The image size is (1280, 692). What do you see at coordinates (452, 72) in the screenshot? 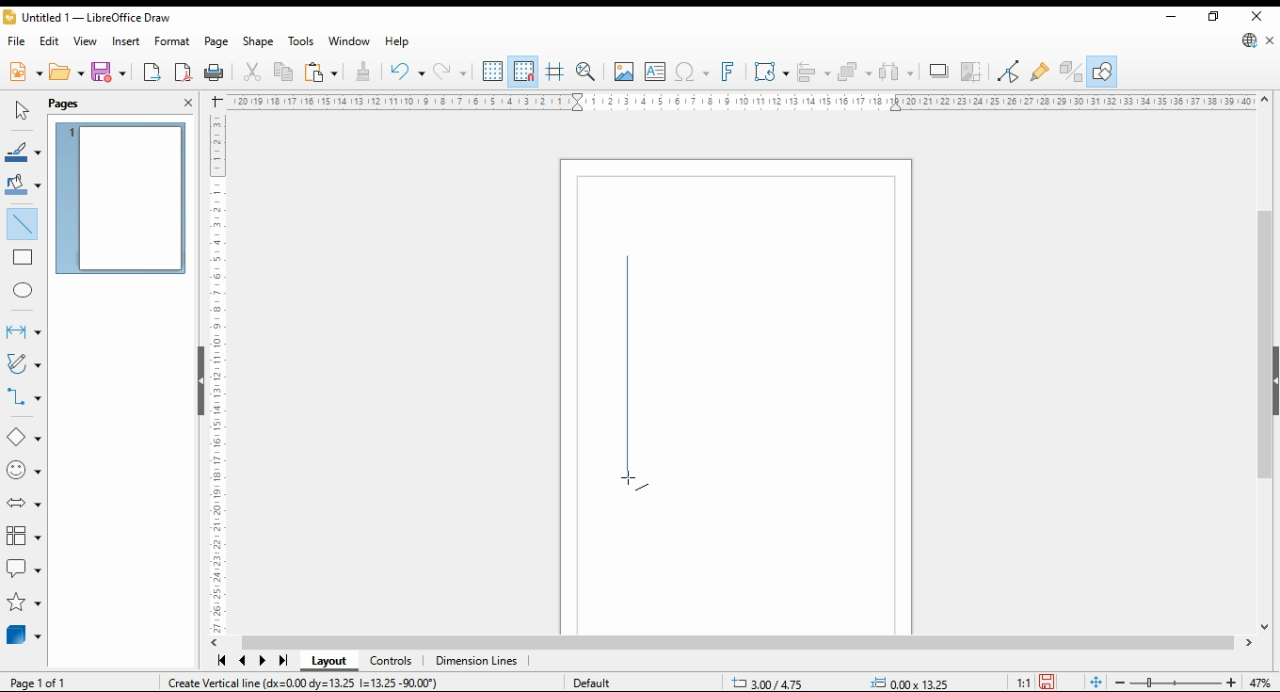
I see `undo` at bounding box center [452, 72].